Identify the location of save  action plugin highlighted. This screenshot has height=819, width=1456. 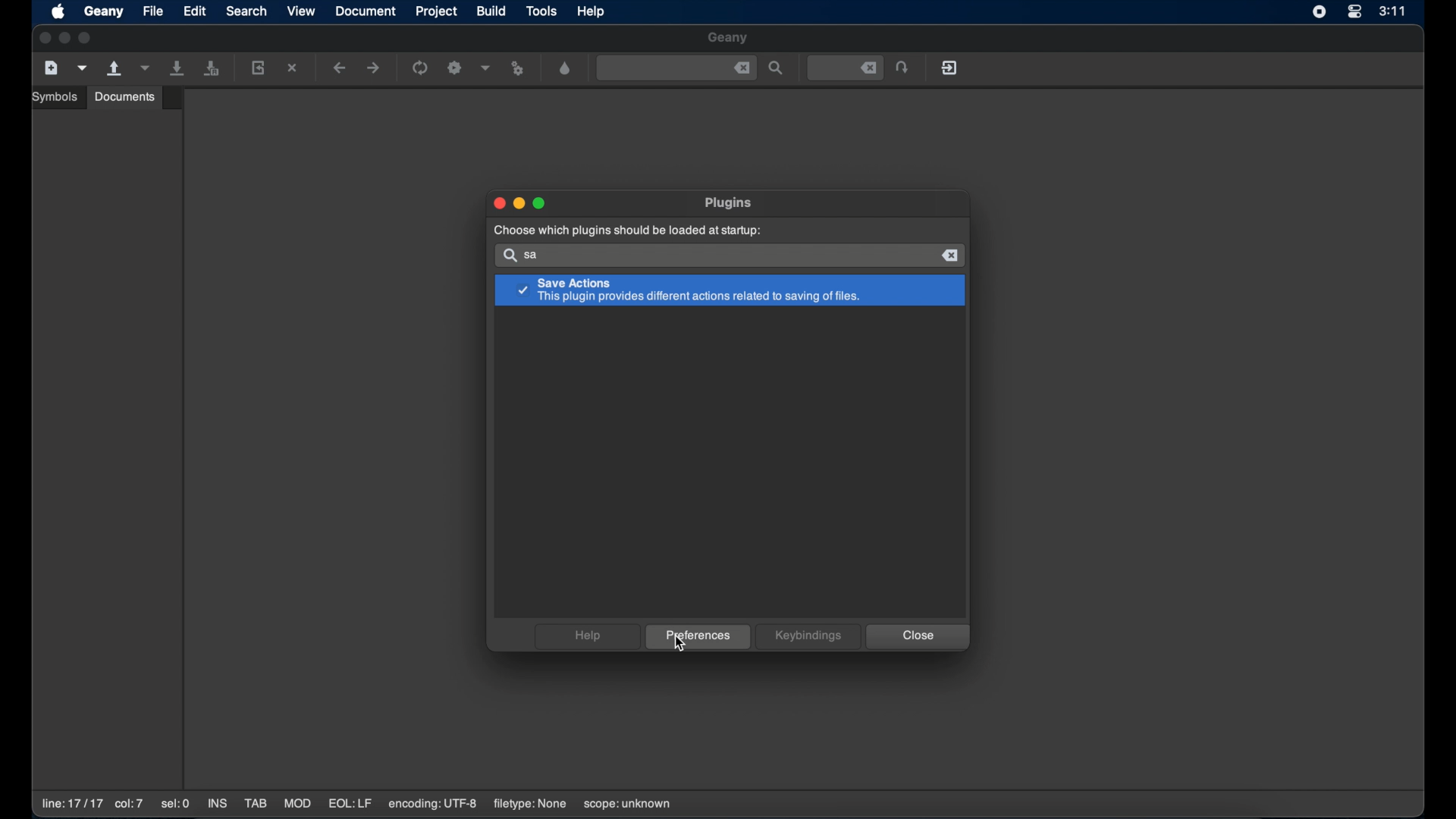
(730, 291).